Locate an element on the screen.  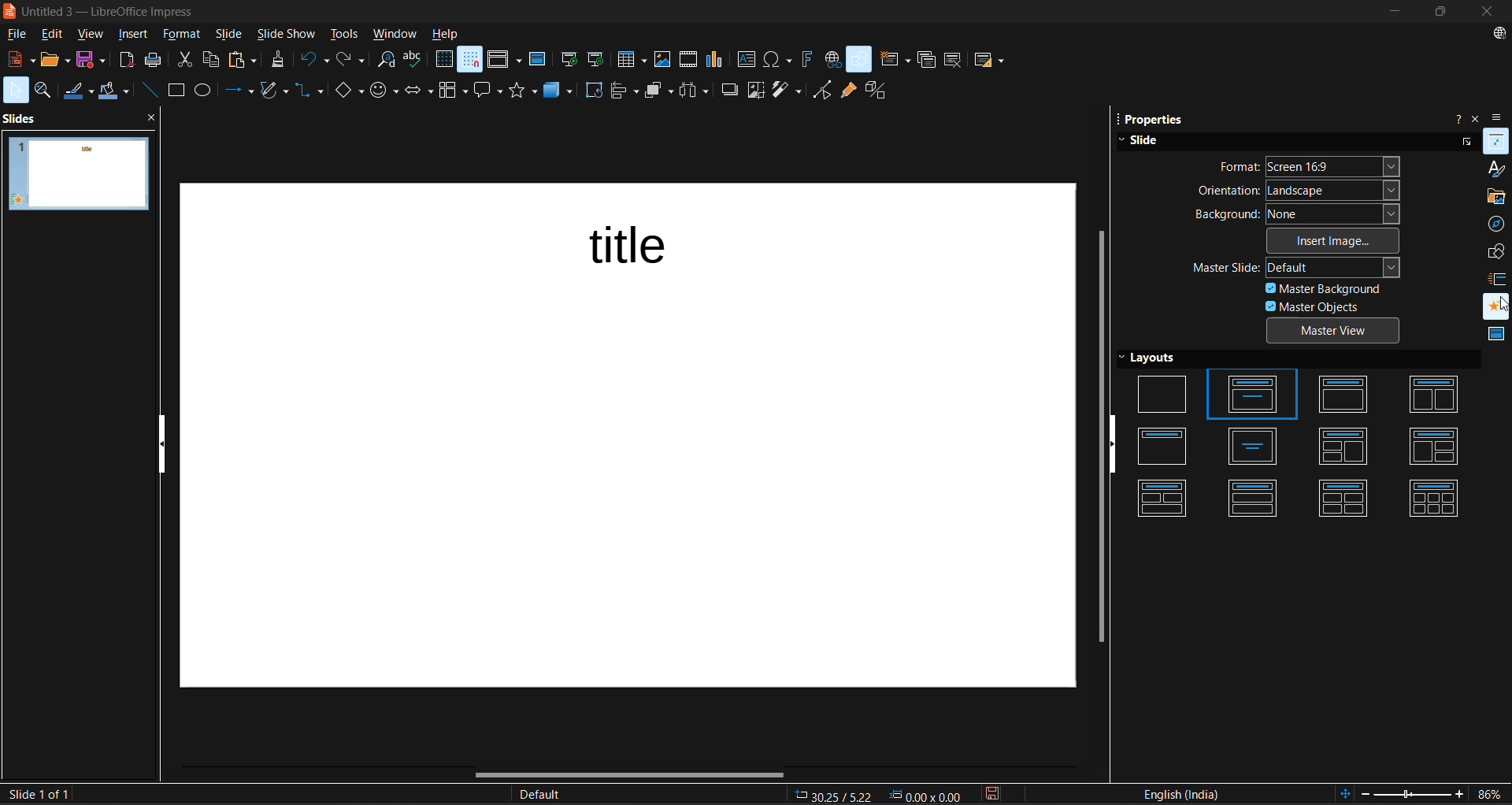
show gluepoint functions is located at coordinates (847, 92).